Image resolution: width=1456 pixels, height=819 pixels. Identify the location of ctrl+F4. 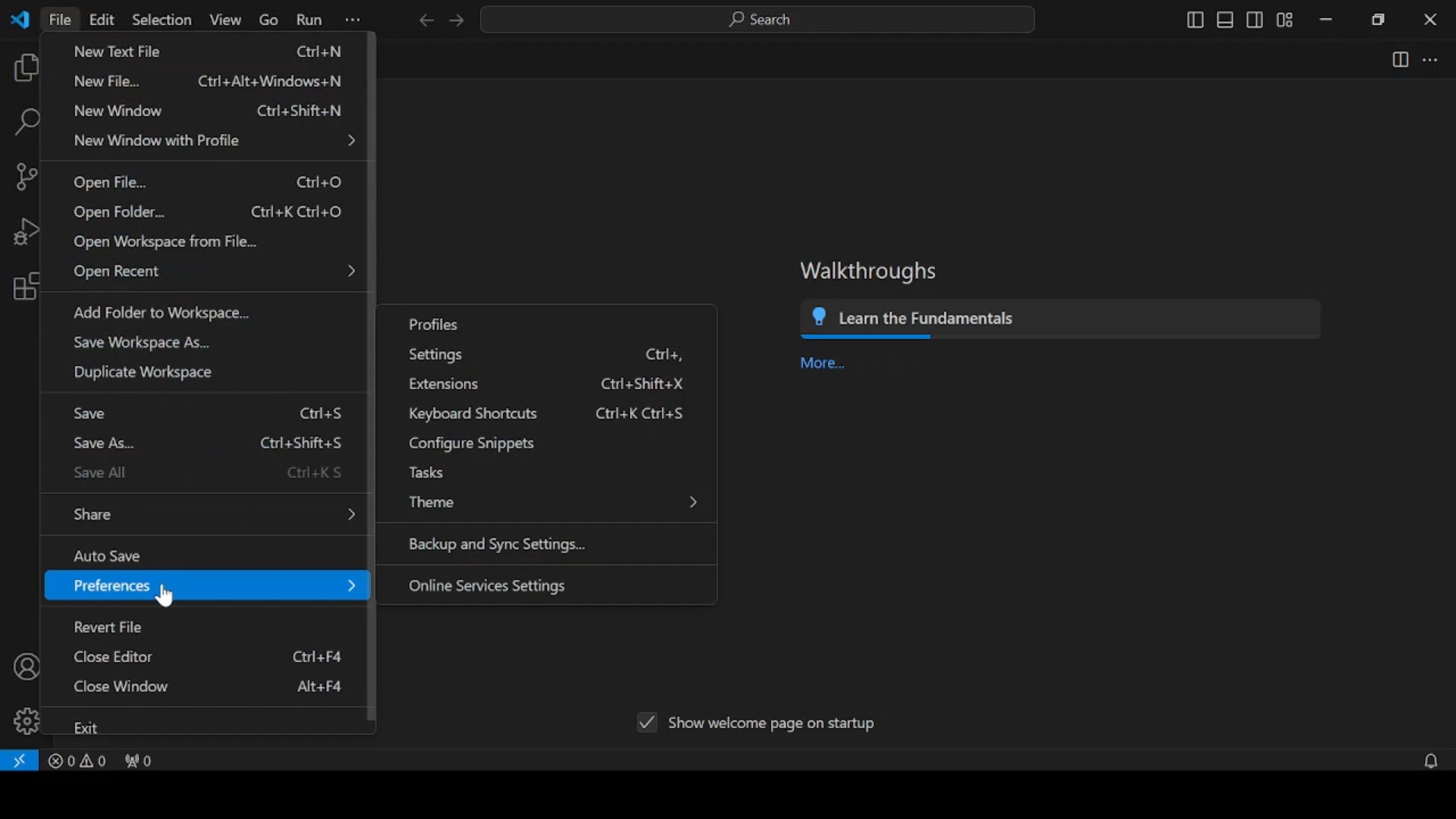
(318, 655).